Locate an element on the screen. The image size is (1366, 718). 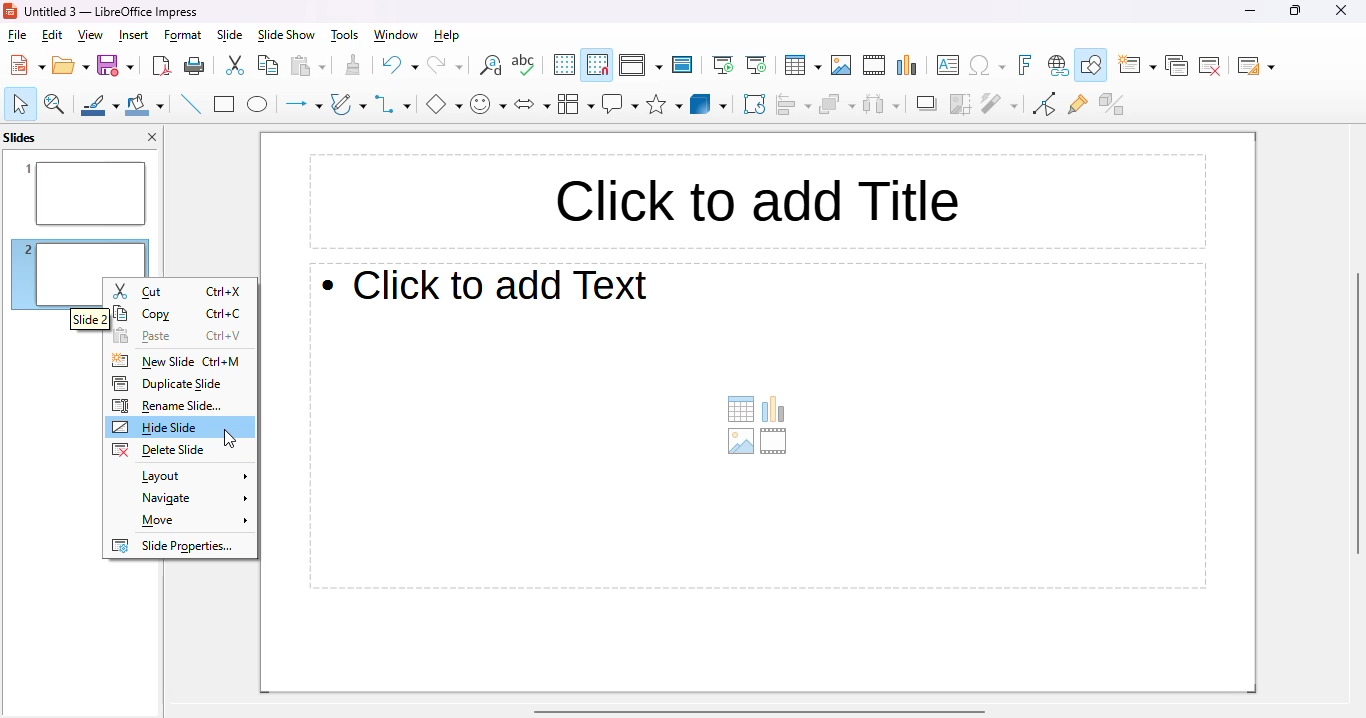
file is located at coordinates (17, 35).